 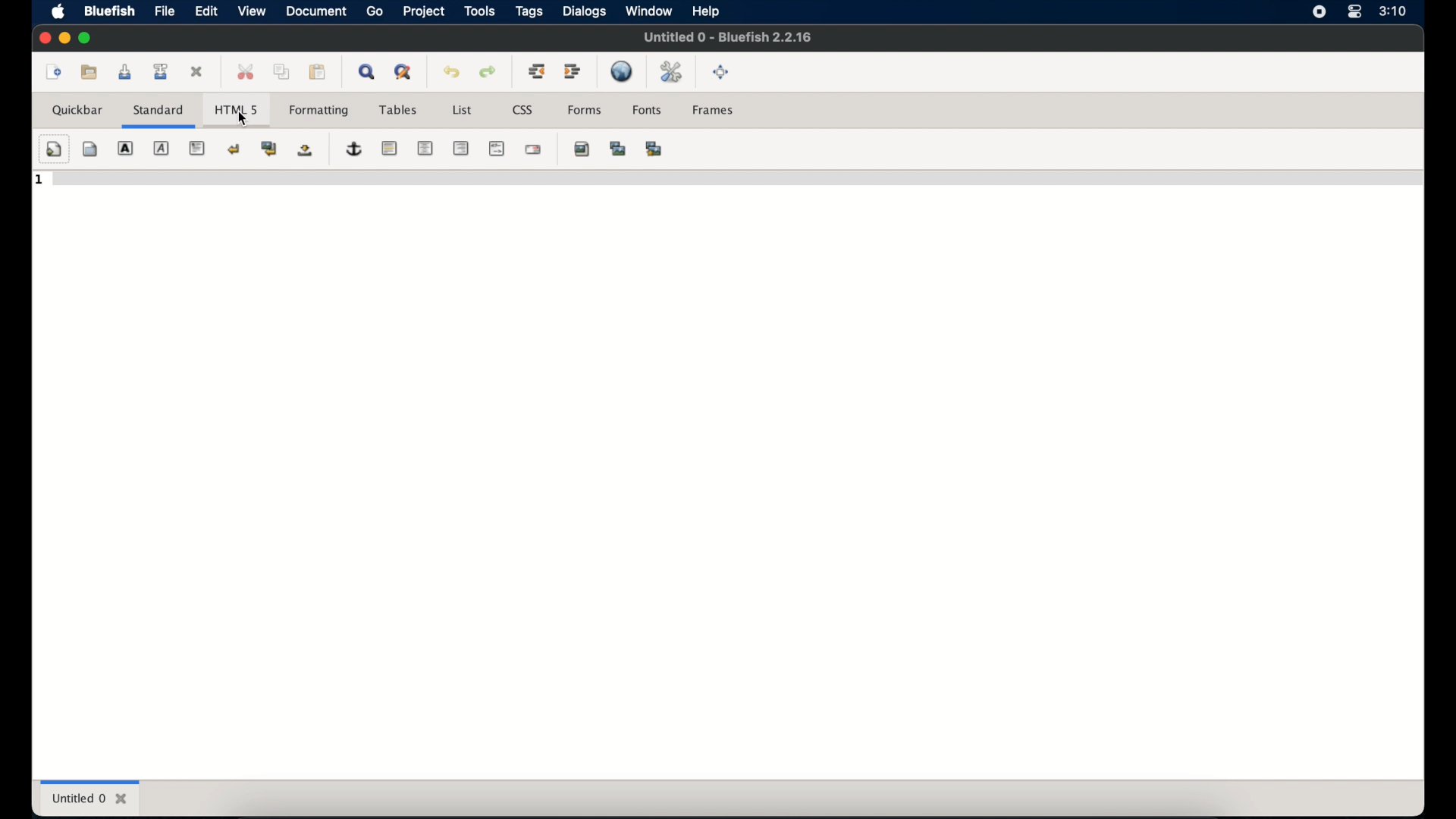 What do you see at coordinates (198, 73) in the screenshot?
I see `close current file` at bounding box center [198, 73].